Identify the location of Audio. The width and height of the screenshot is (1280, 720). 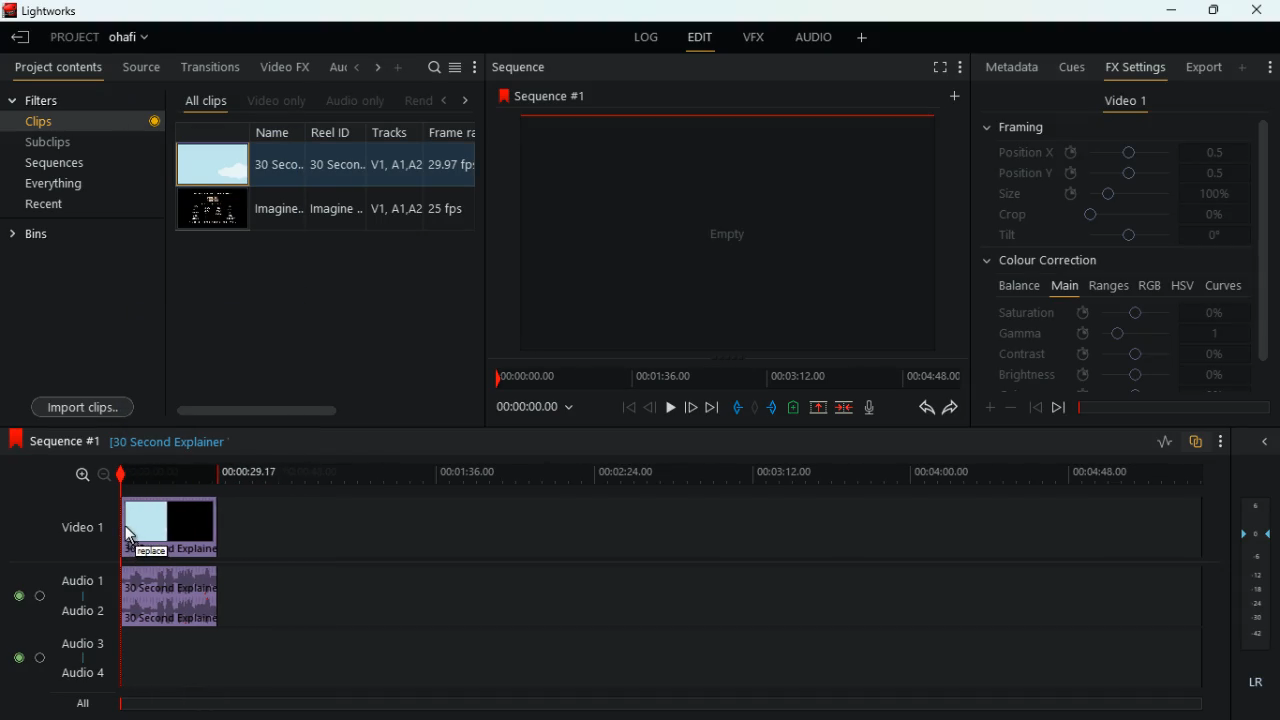
(28, 657).